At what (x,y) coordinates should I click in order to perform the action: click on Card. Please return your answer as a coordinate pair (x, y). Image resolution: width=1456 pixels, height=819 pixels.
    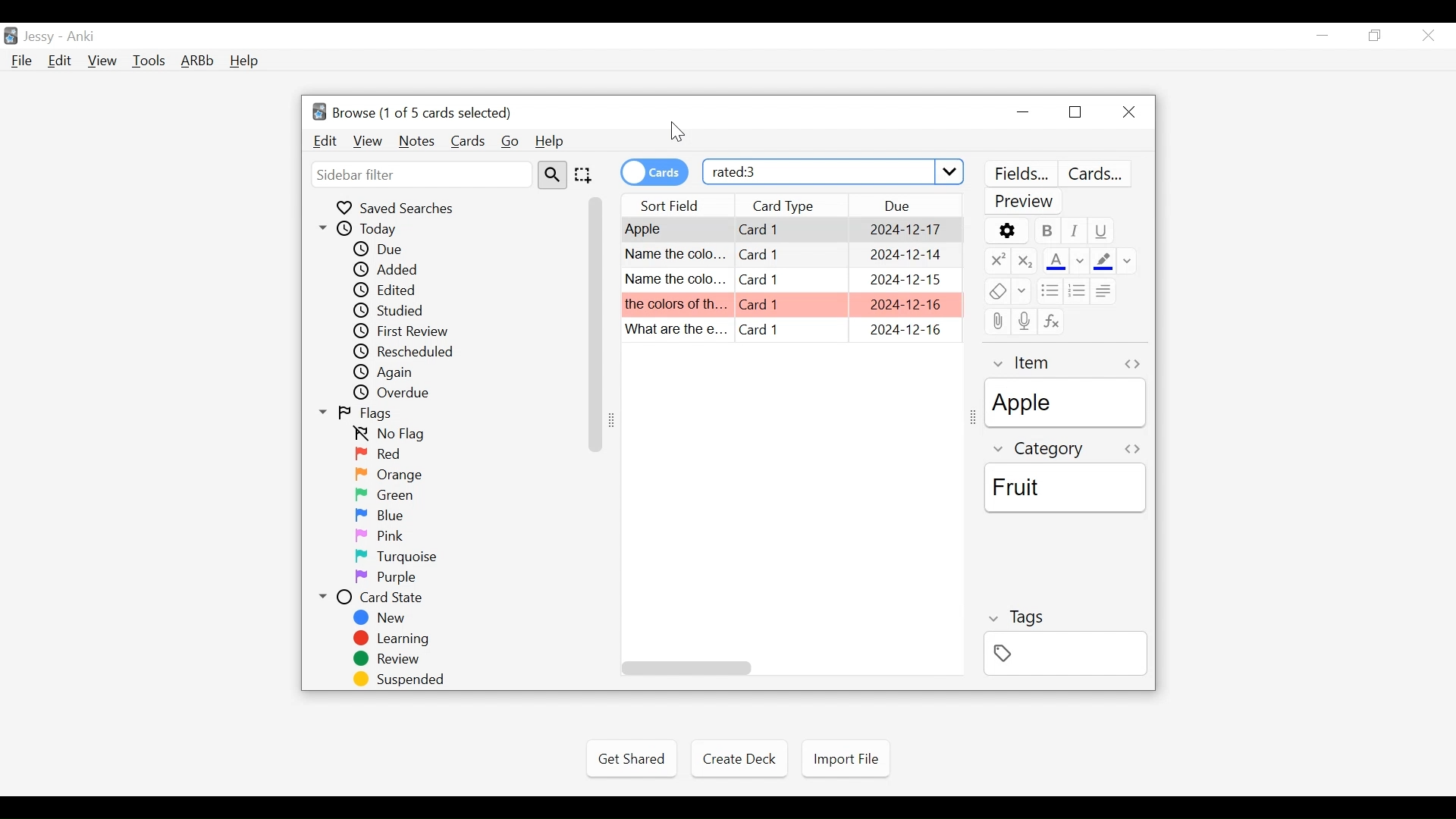
    Looking at the image, I should click on (676, 303).